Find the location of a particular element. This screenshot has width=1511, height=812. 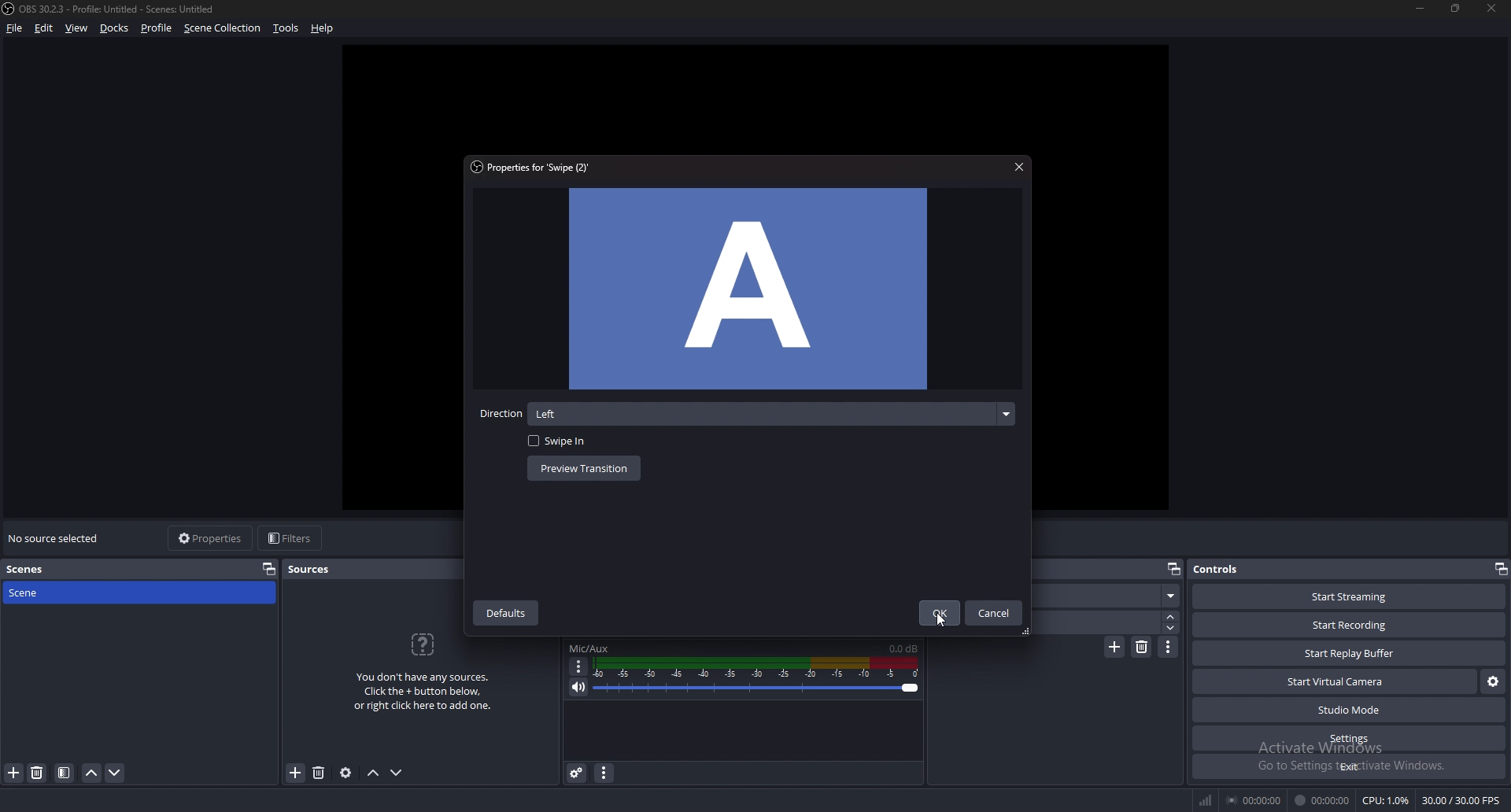

virtual camera options is located at coordinates (1493, 681).